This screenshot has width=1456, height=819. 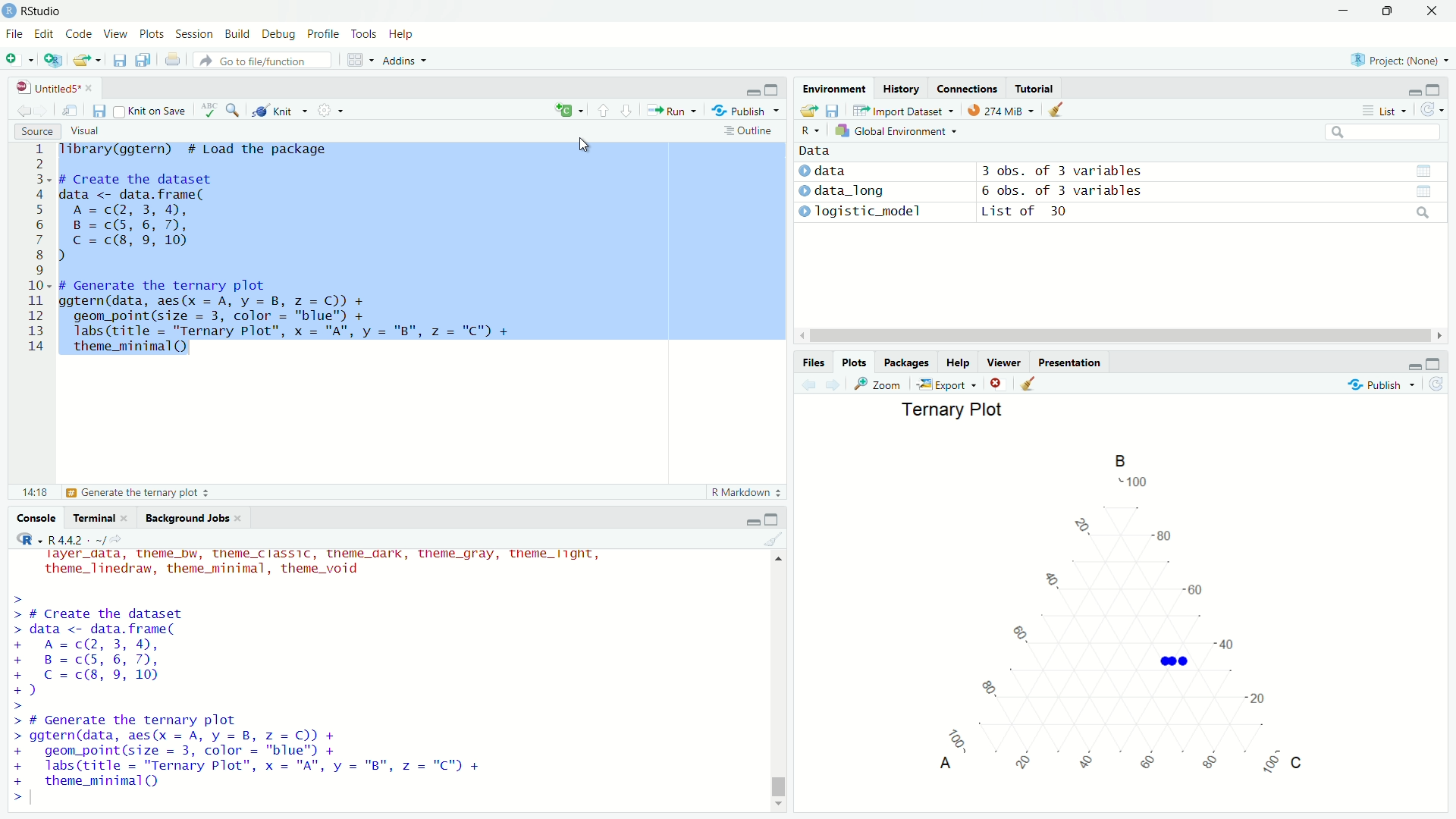 I want to click on Addins ~, so click(x=402, y=61).